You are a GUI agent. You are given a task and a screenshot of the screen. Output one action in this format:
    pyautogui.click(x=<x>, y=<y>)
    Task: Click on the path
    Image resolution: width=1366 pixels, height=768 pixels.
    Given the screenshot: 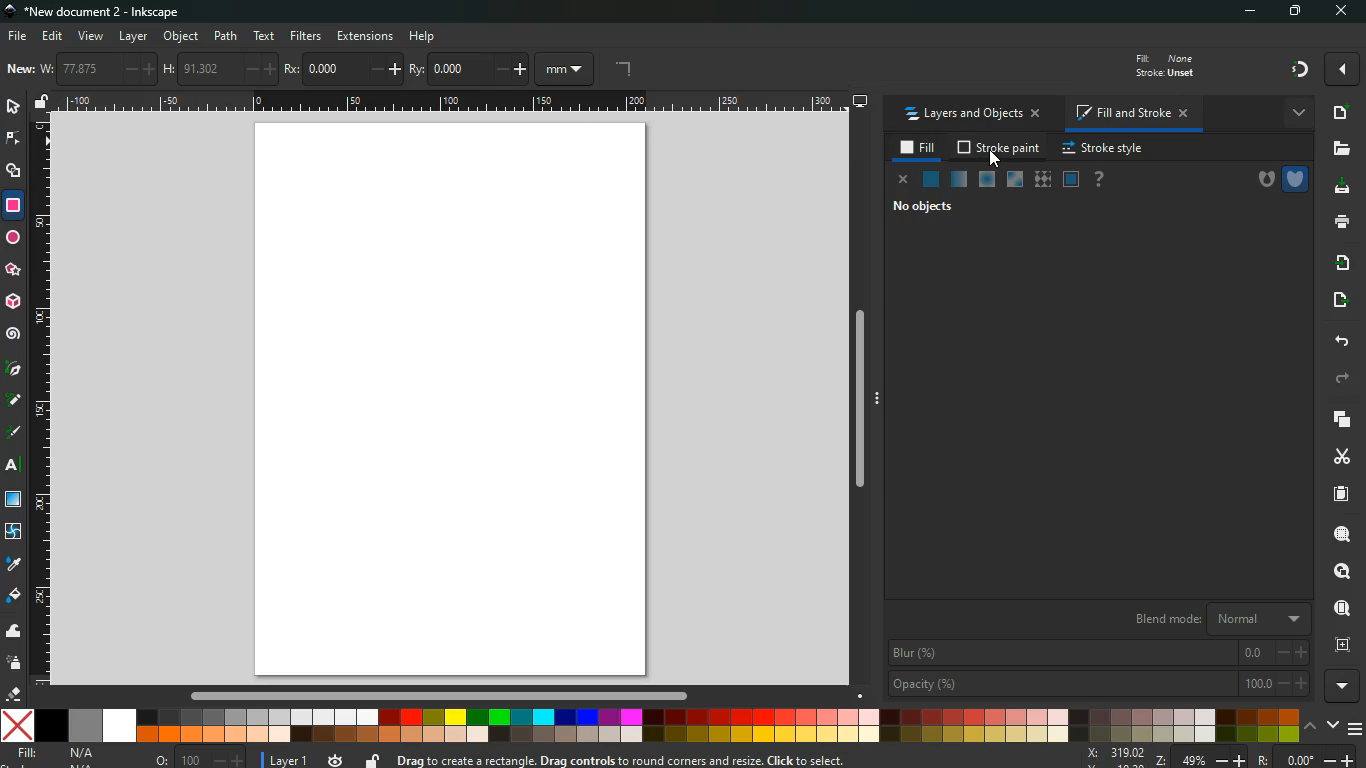 What is the action you would take?
    pyautogui.click(x=228, y=34)
    